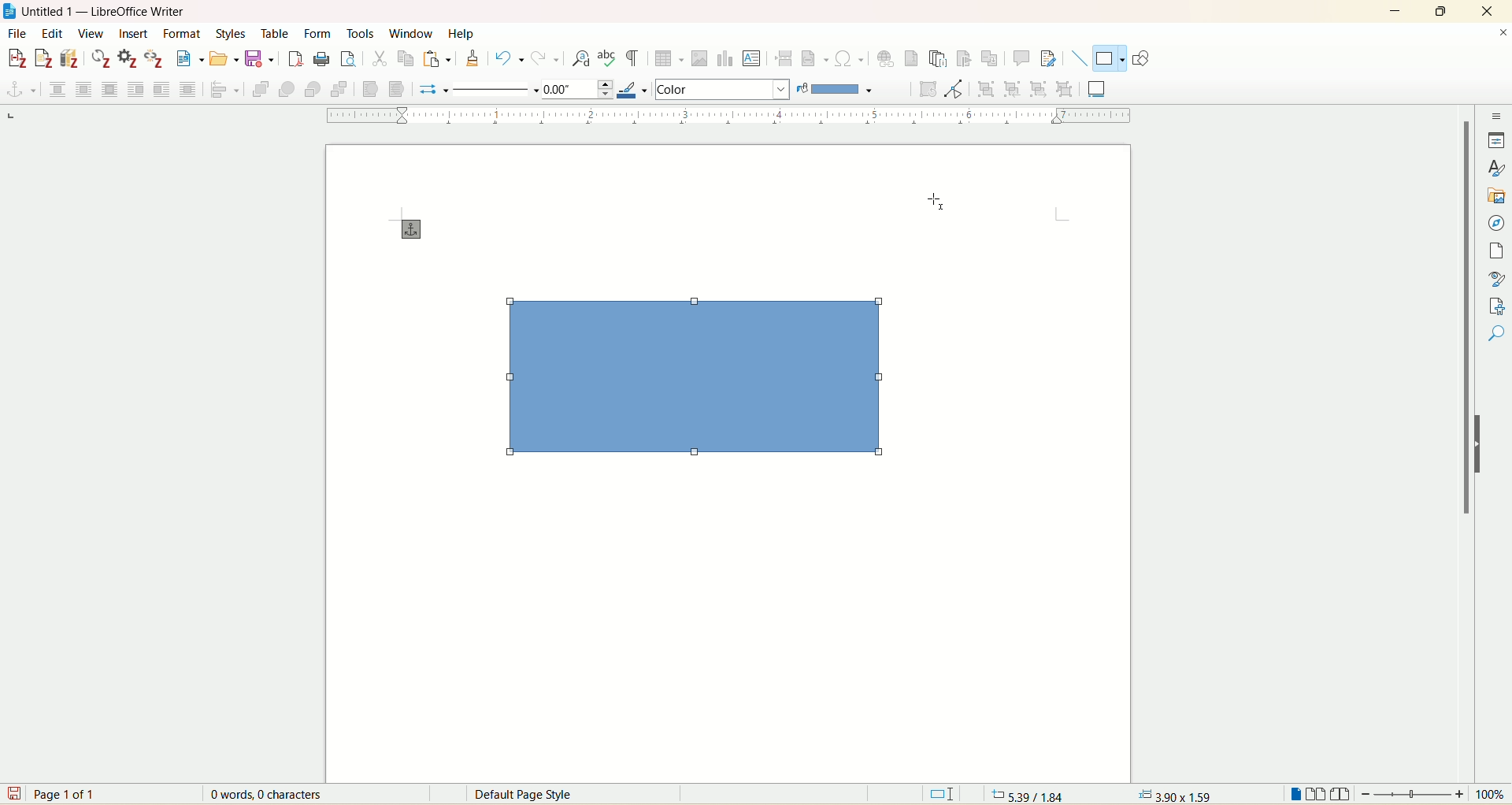 The width and height of the screenshot is (1512, 805). What do you see at coordinates (784, 57) in the screenshot?
I see `insert page break` at bounding box center [784, 57].